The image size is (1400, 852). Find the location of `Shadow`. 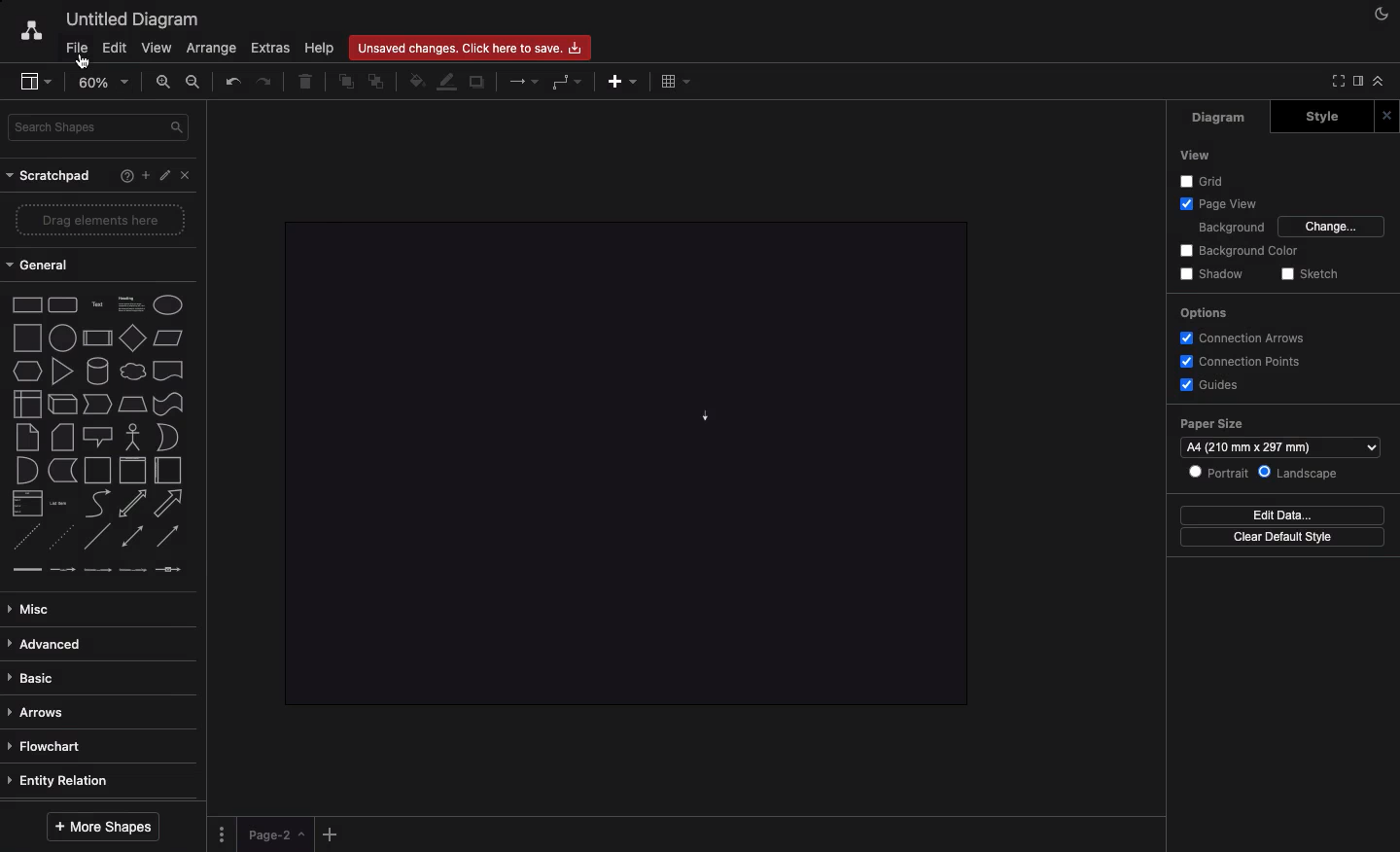

Shadow is located at coordinates (1211, 275).